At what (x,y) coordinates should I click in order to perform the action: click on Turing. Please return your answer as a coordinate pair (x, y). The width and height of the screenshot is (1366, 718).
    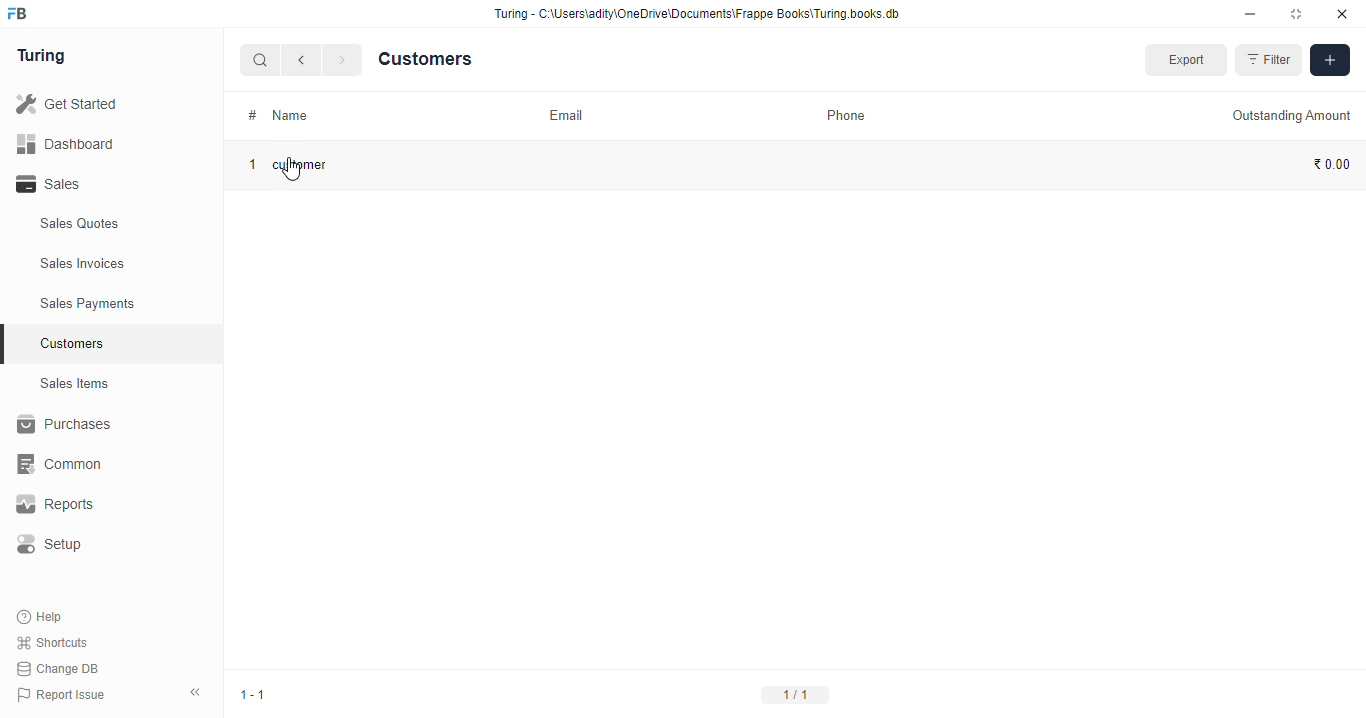
    Looking at the image, I should click on (46, 57).